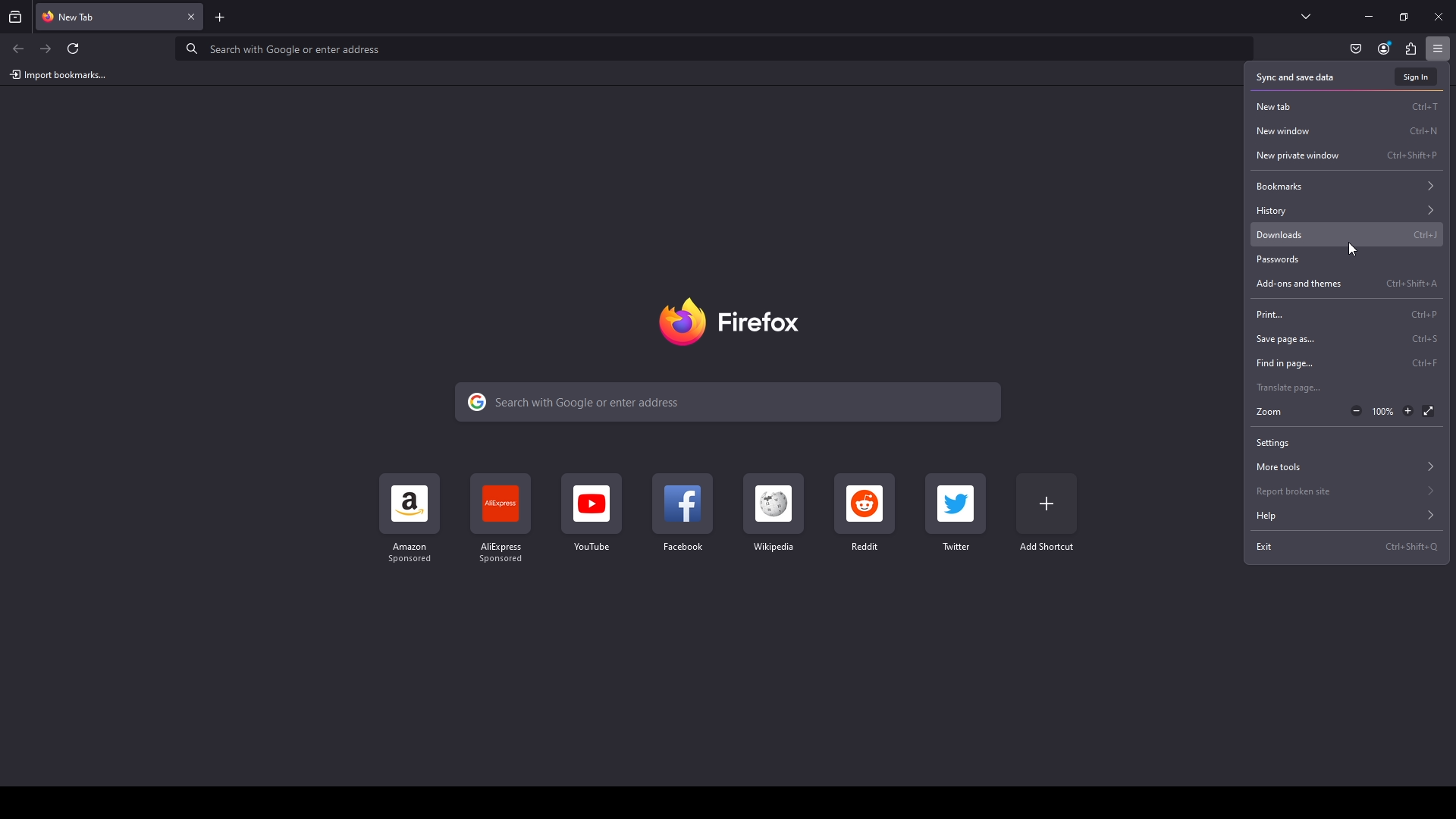 The image size is (1456, 819). What do you see at coordinates (1347, 441) in the screenshot?
I see `Settings` at bounding box center [1347, 441].